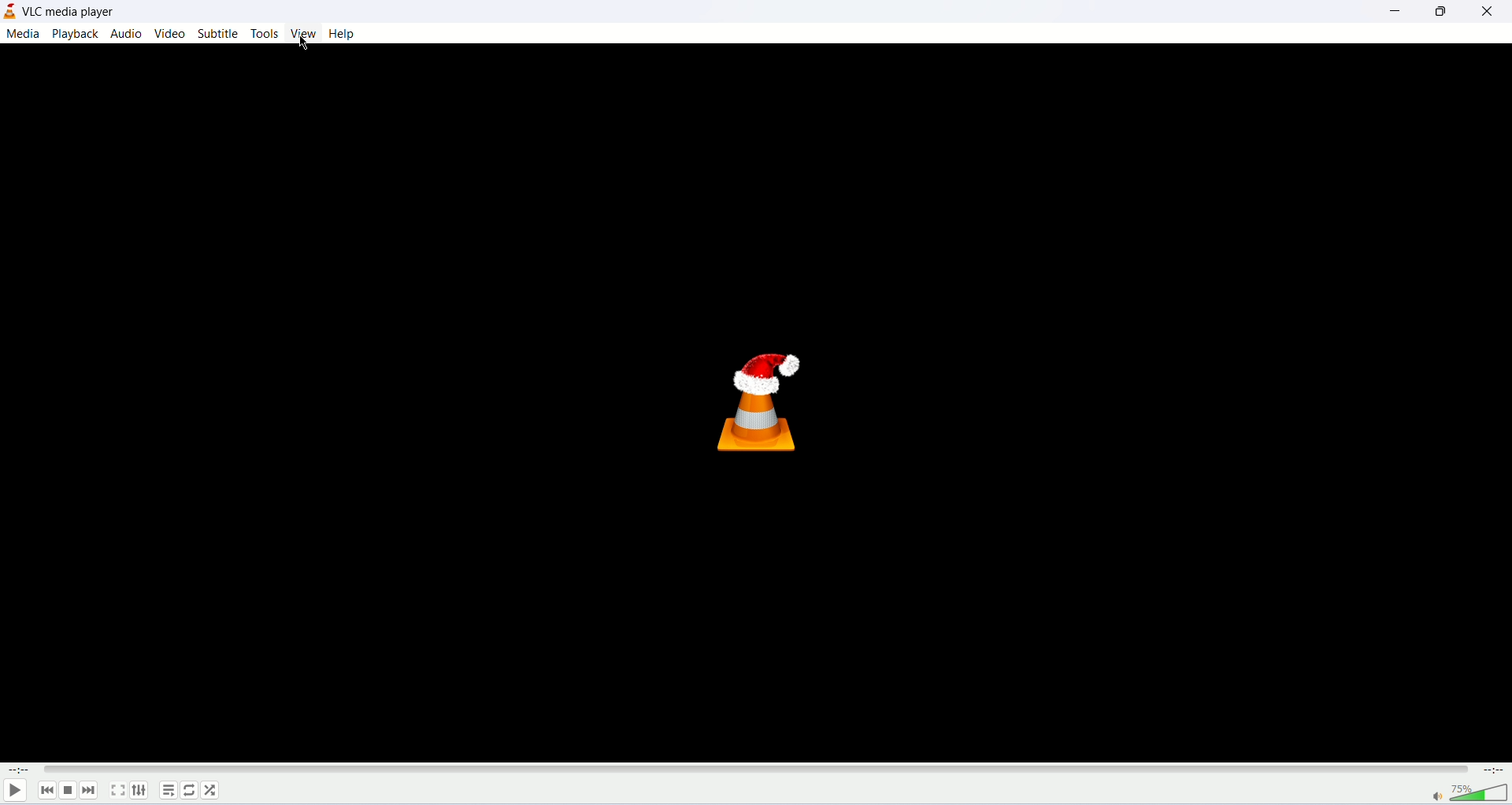  Describe the element at coordinates (13, 790) in the screenshot. I see `play/pause` at that location.